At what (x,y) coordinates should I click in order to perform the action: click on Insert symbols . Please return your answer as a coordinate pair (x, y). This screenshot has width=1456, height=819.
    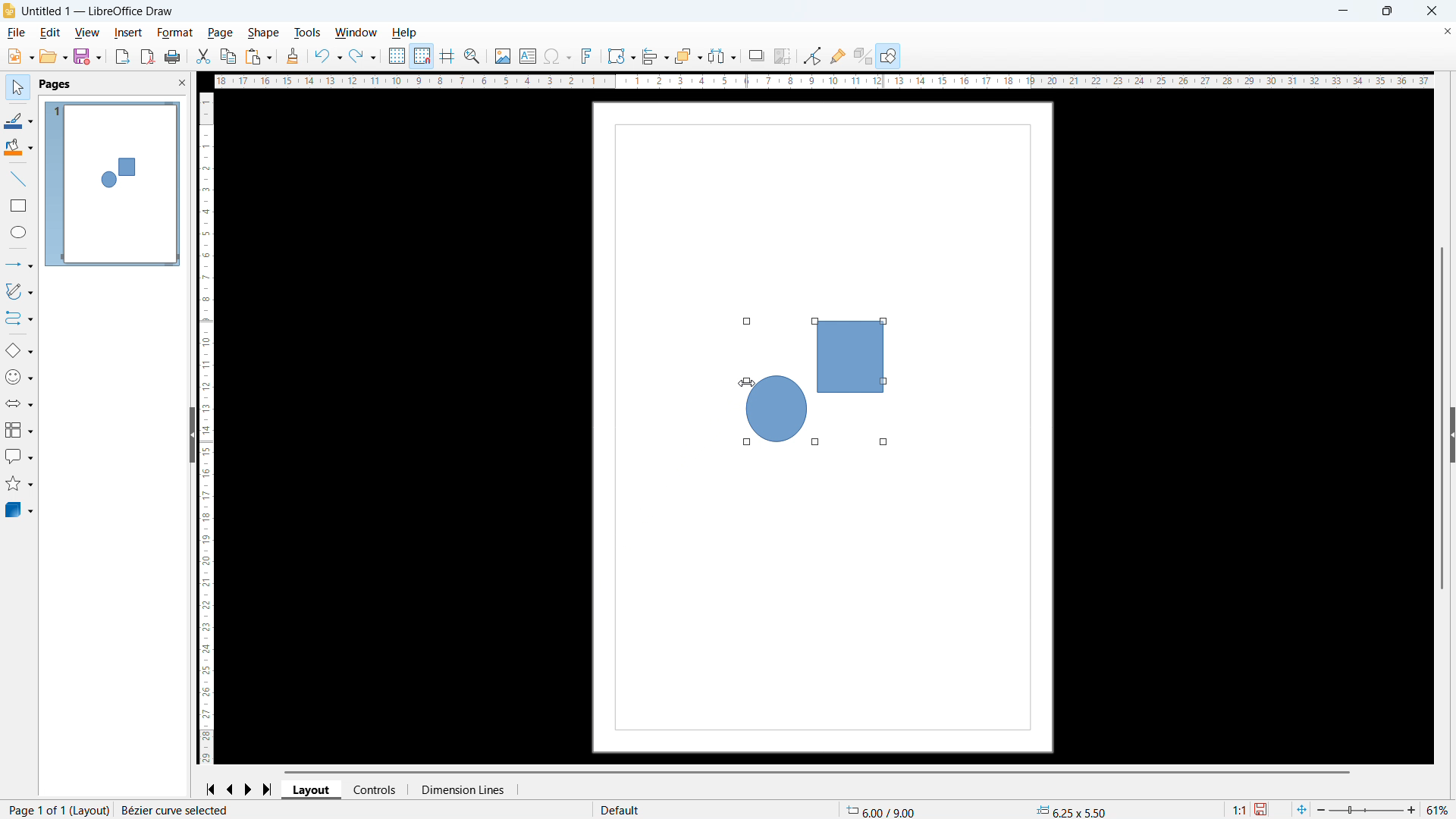
    Looking at the image, I should click on (557, 56).